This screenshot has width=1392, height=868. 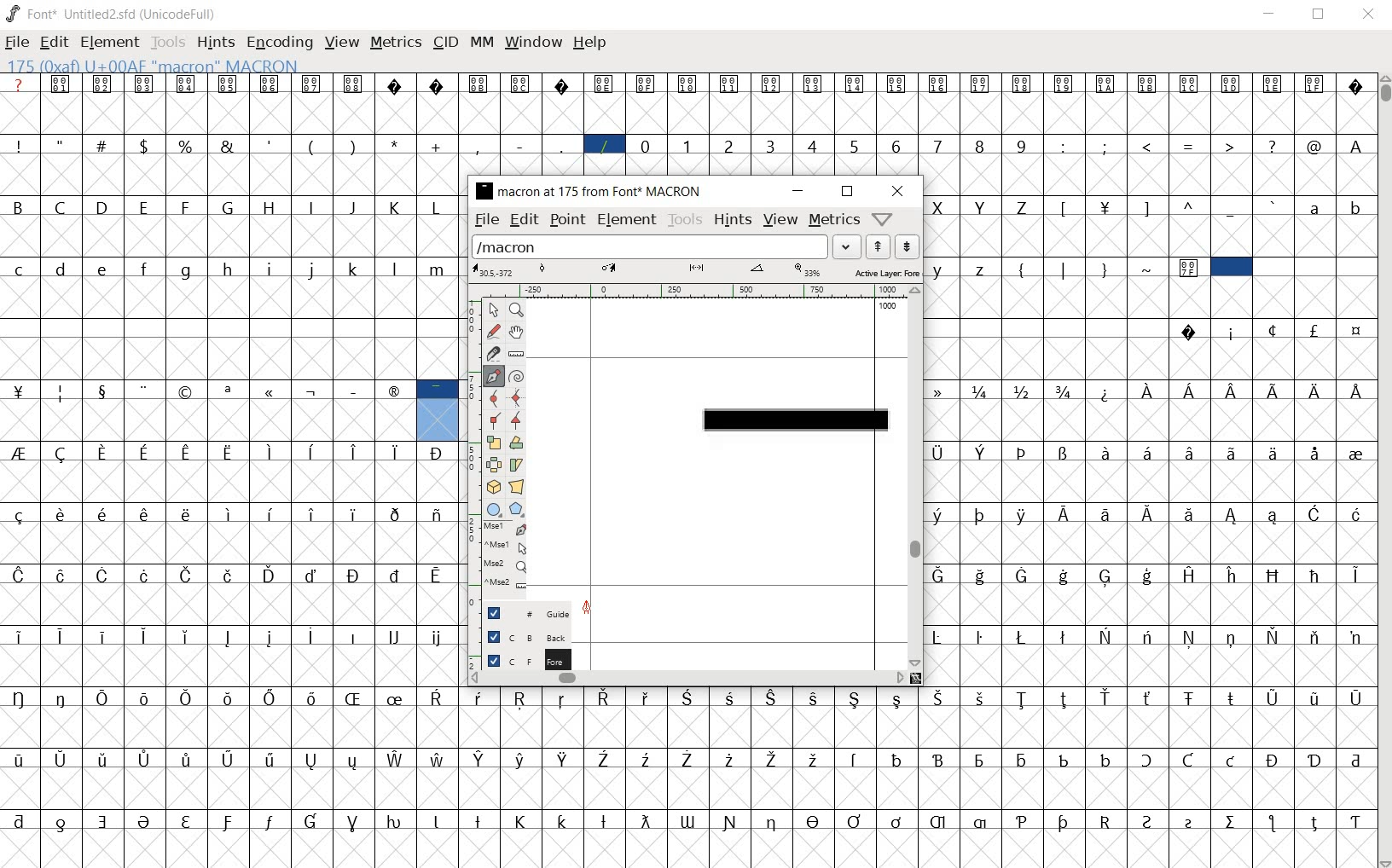 What do you see at coordinates (524, 222) in the screenshot?
I see `edit` at bounding box center [524, 222].